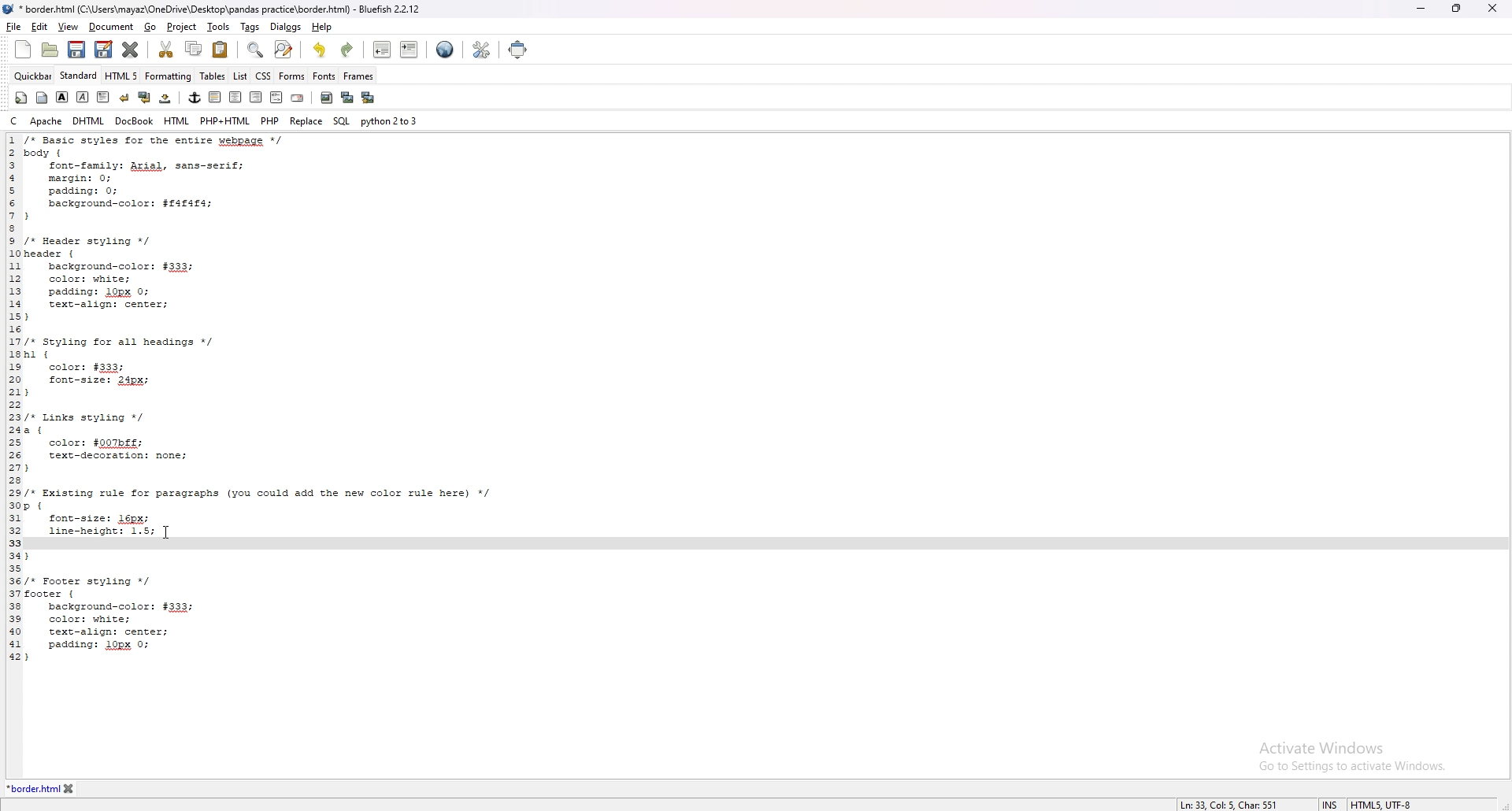 This screenshot has height=811, width=1512. I want to click on multi thumbnail, so click(369, 98).